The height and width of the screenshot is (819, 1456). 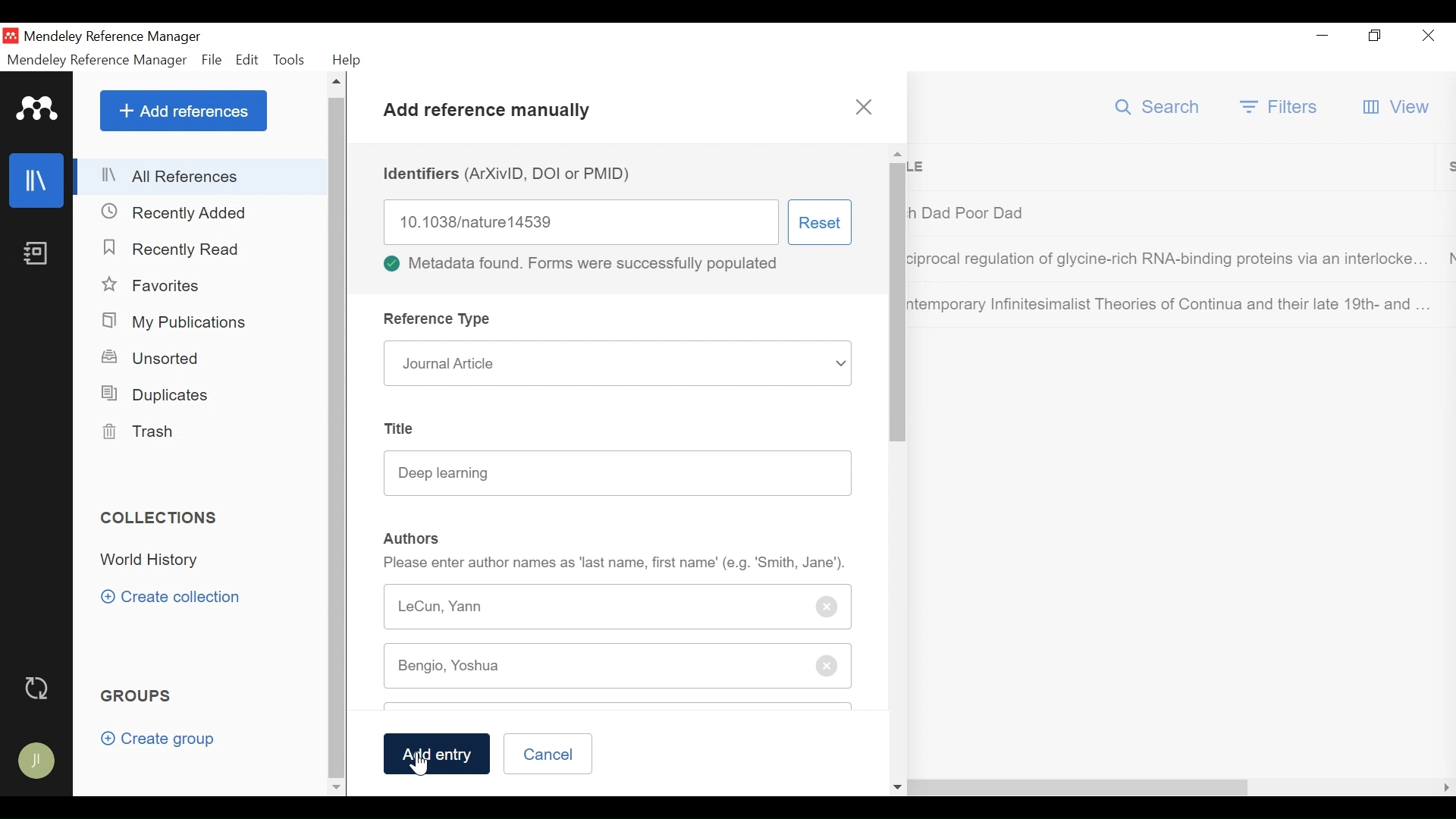 I want to click on All References, so click(x=201, y=177).